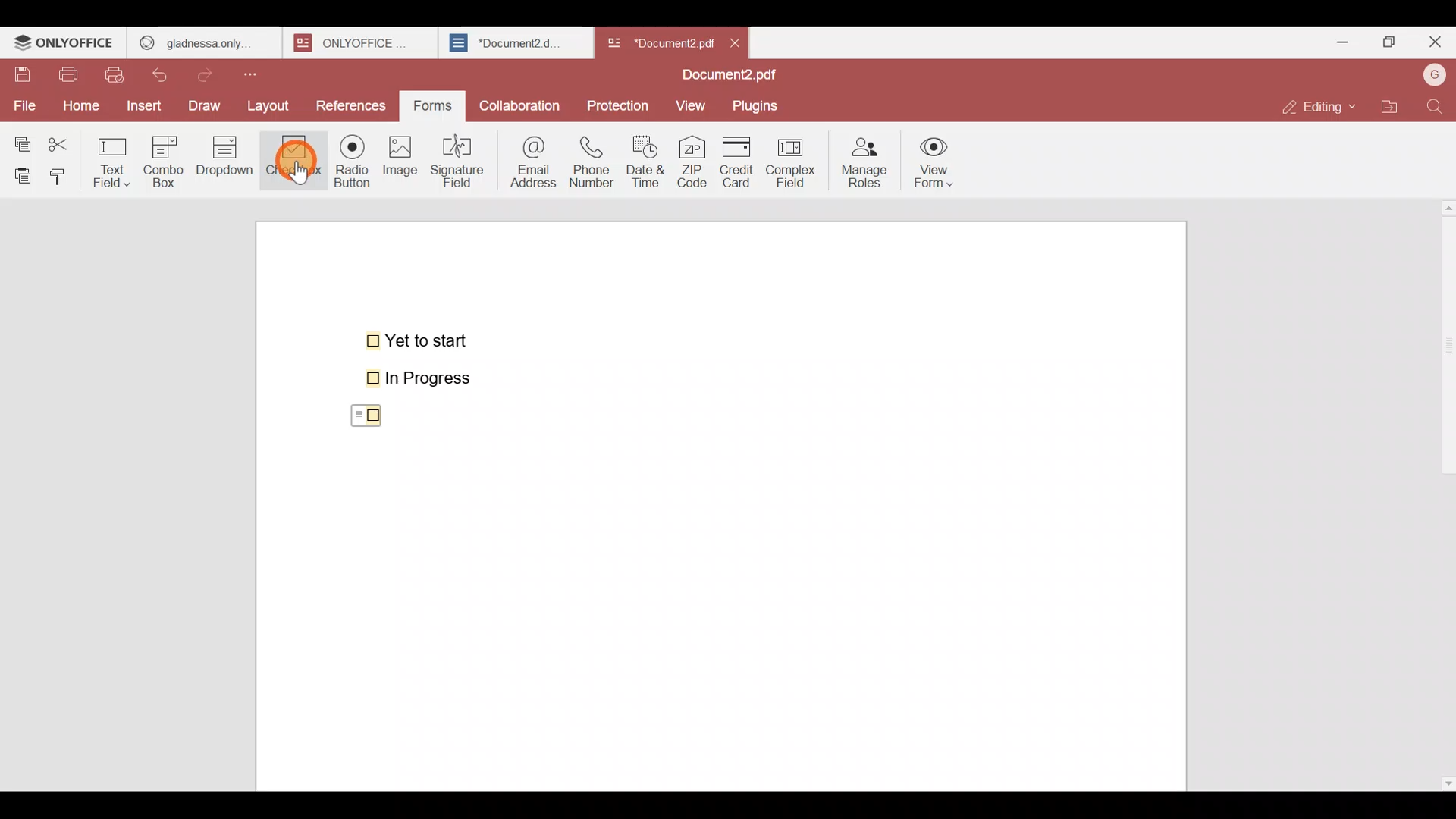  What do you see at coordinates (1435, 106) in the screenshot?
I see `Find` at bounding box center [1435, 106].